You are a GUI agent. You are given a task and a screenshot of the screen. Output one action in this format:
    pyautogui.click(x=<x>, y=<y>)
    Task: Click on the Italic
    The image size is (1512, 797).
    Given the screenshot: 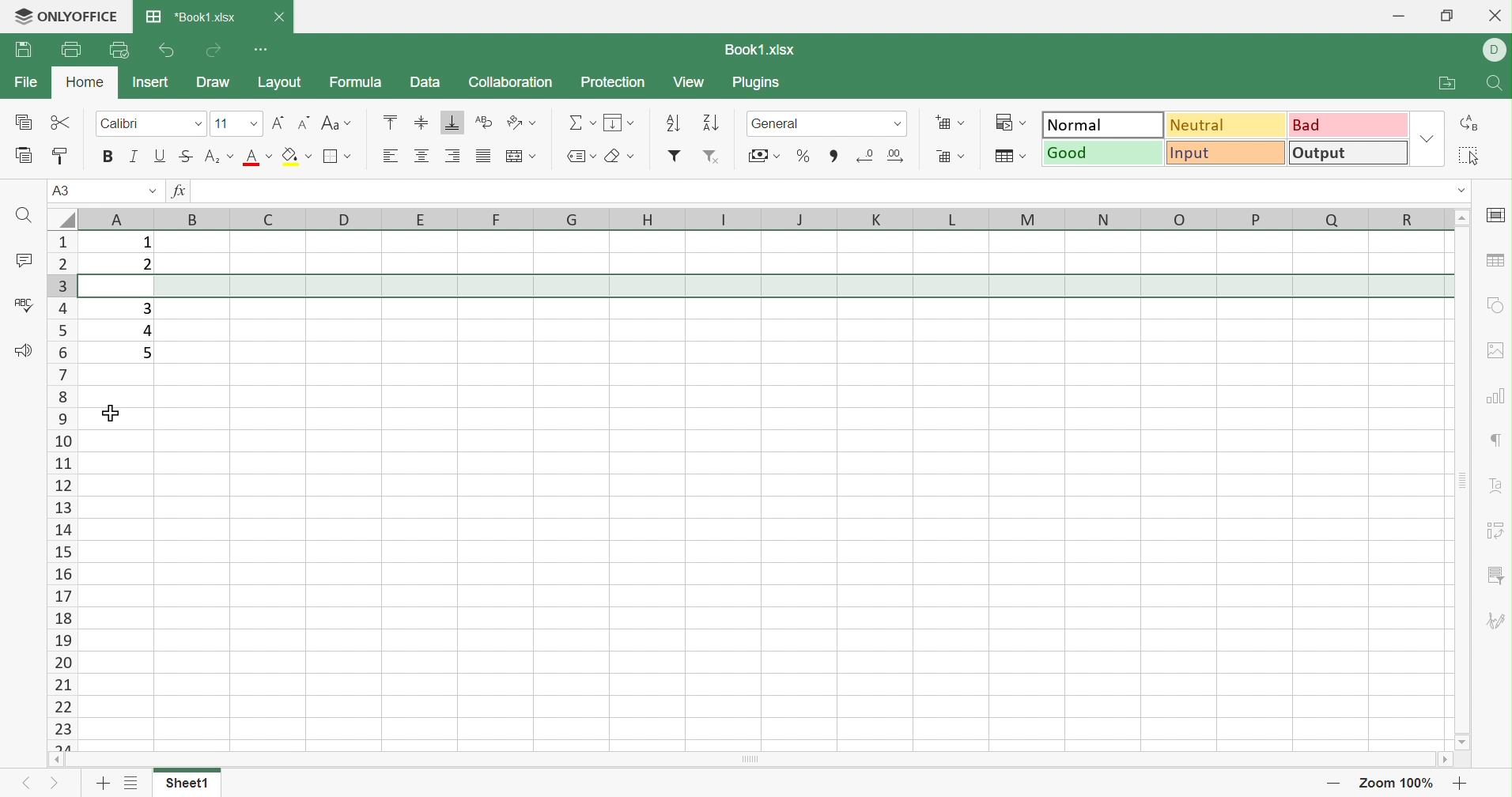 What is the action you would take?
    pyautogui.click(x=134, y=158)
    